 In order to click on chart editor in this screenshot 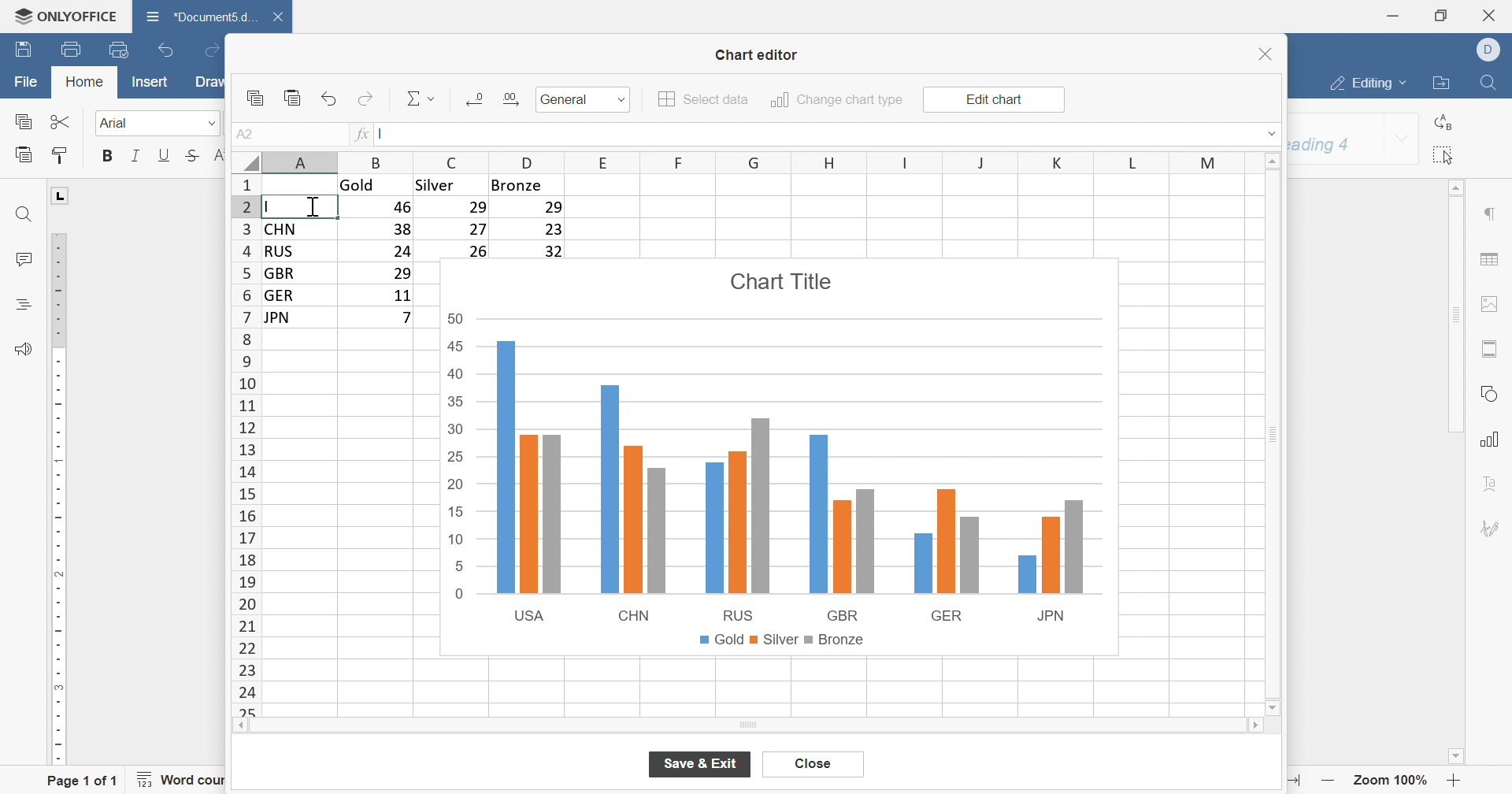, I will do `click(757, 55)`.